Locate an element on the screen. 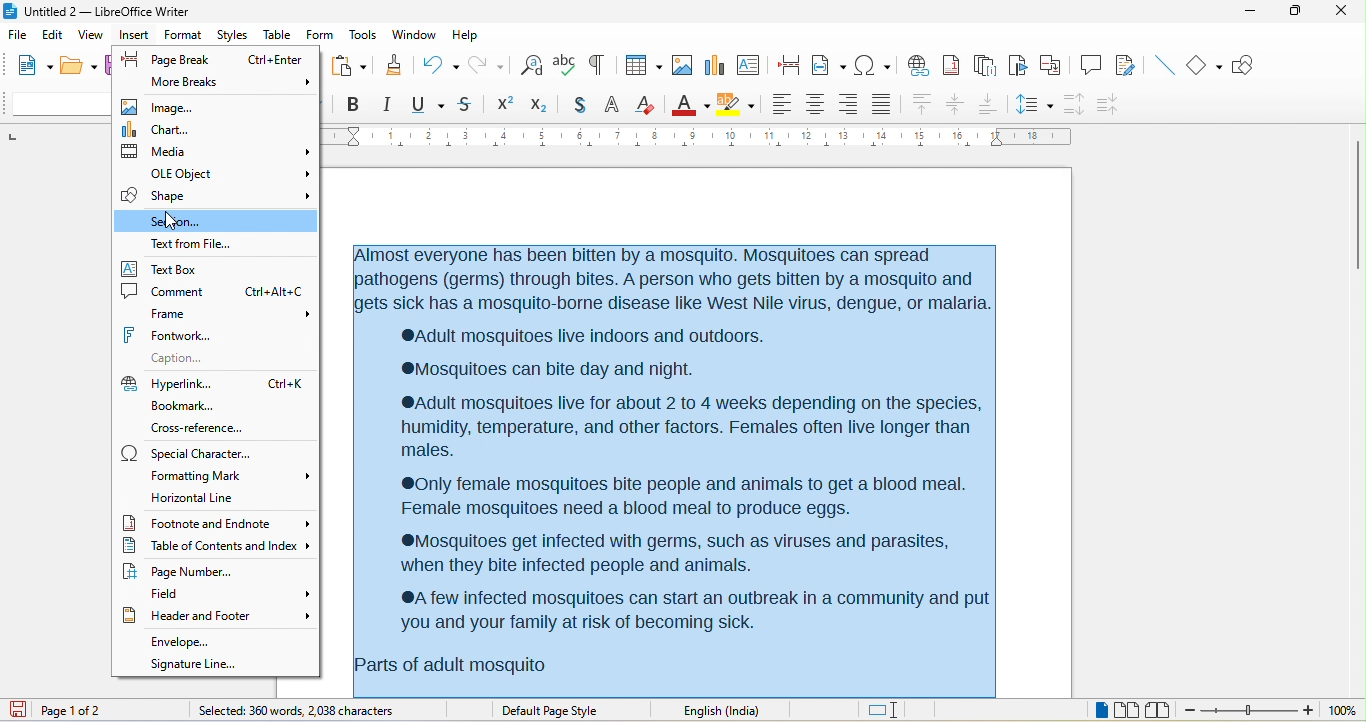 Image resolution: width=1366 pixels, height=722 pixels. align top is located at coordinates (921, 105).